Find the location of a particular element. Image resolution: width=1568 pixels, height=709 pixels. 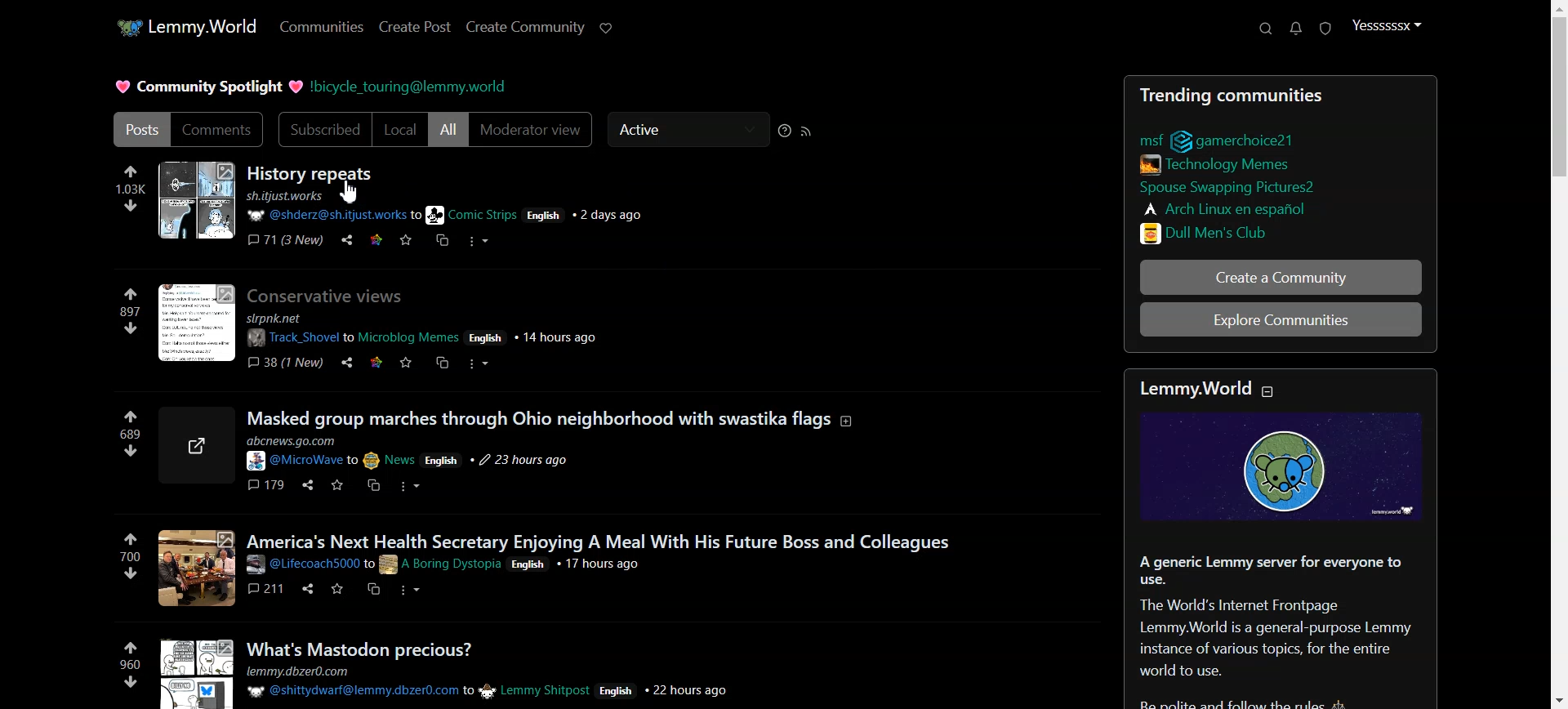

America's Next Health Secretary Enjoying A Meal With His Future Boss and Colleagues is located at coordinates (603, 540).